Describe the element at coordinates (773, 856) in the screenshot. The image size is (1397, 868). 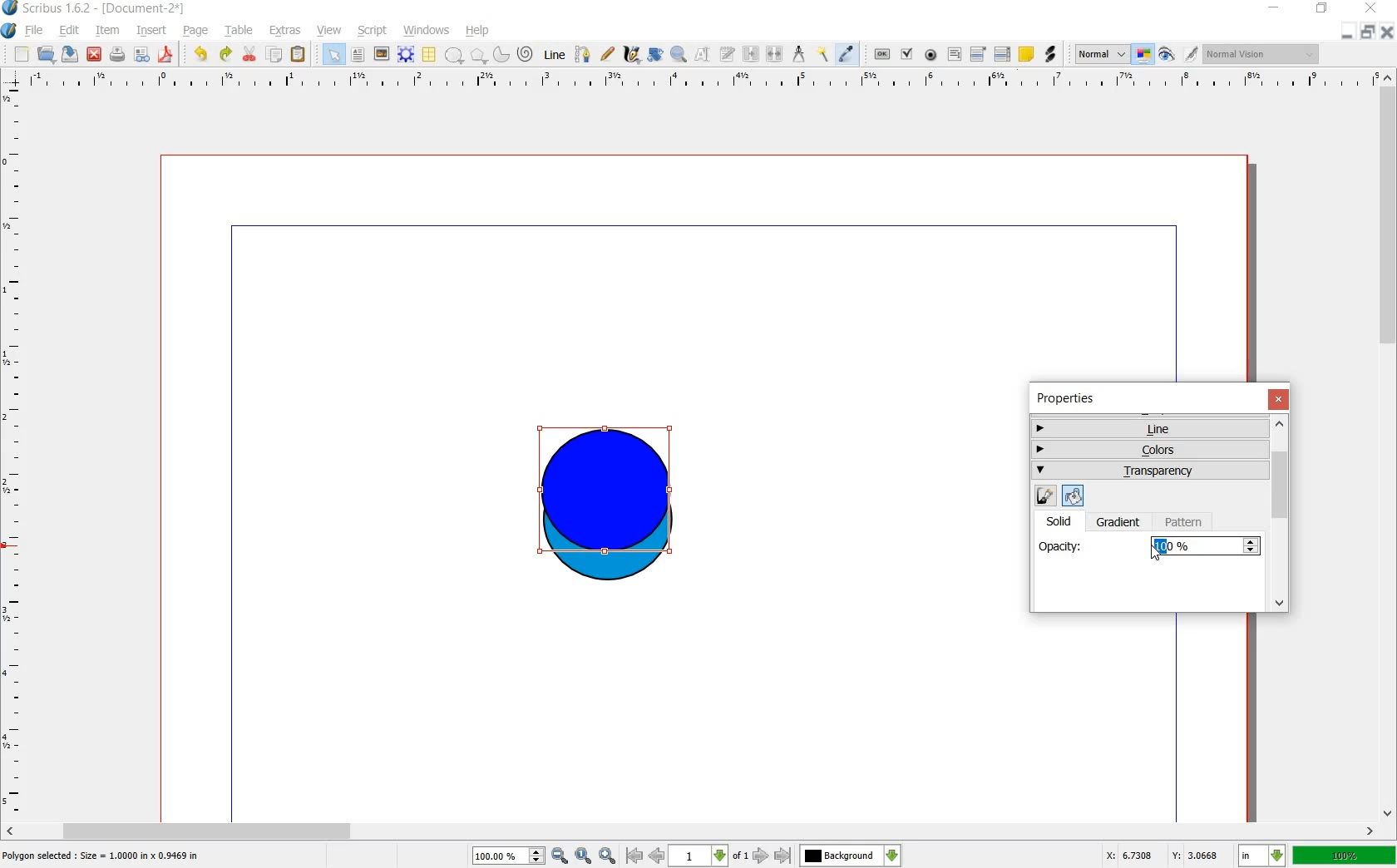
I see `go to next or last page` at that location.